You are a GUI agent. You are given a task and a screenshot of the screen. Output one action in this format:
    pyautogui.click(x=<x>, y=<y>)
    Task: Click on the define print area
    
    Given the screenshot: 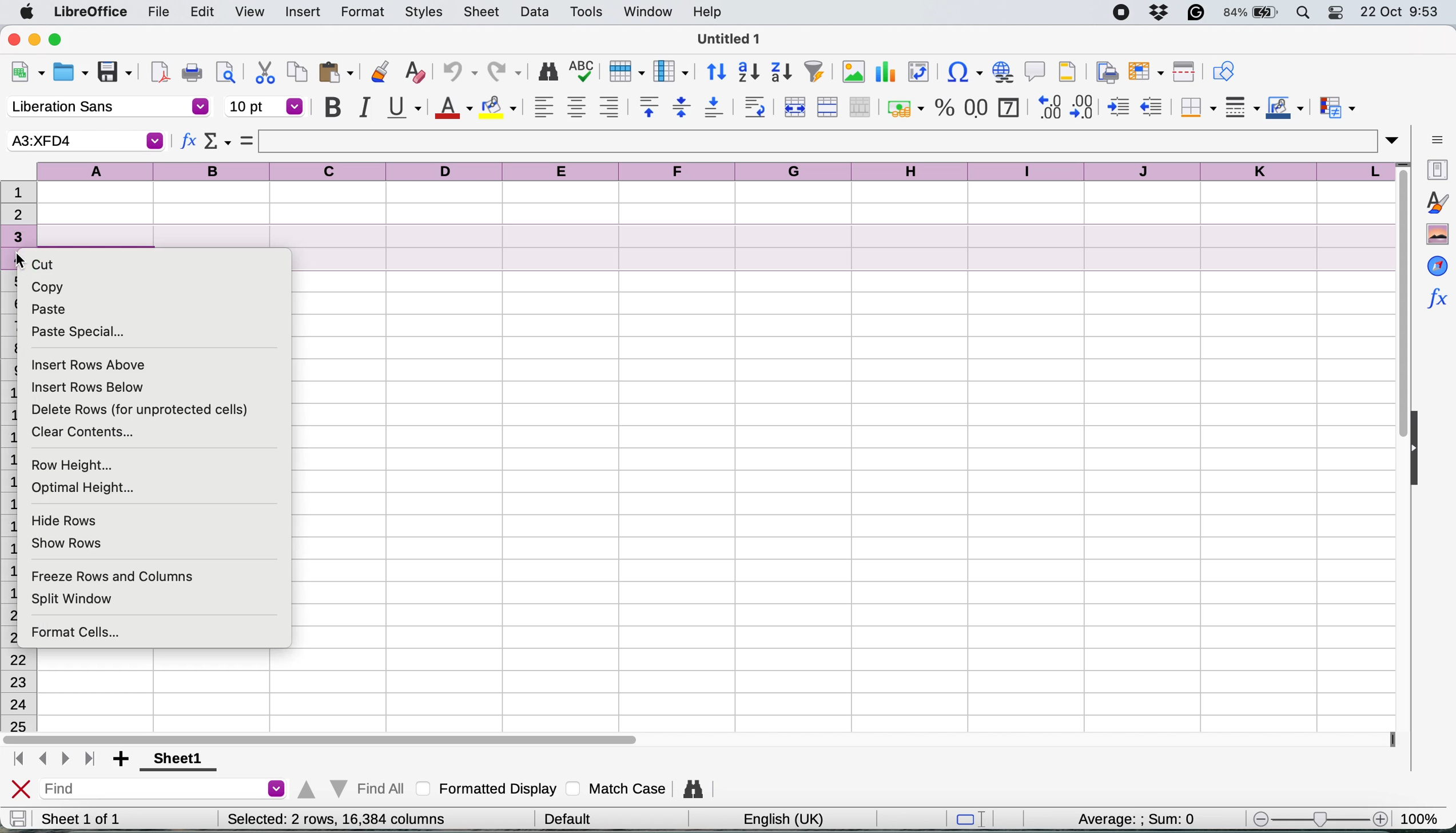 What is the action you would take?
    pyautogui.click(x=1104, y=71)
    